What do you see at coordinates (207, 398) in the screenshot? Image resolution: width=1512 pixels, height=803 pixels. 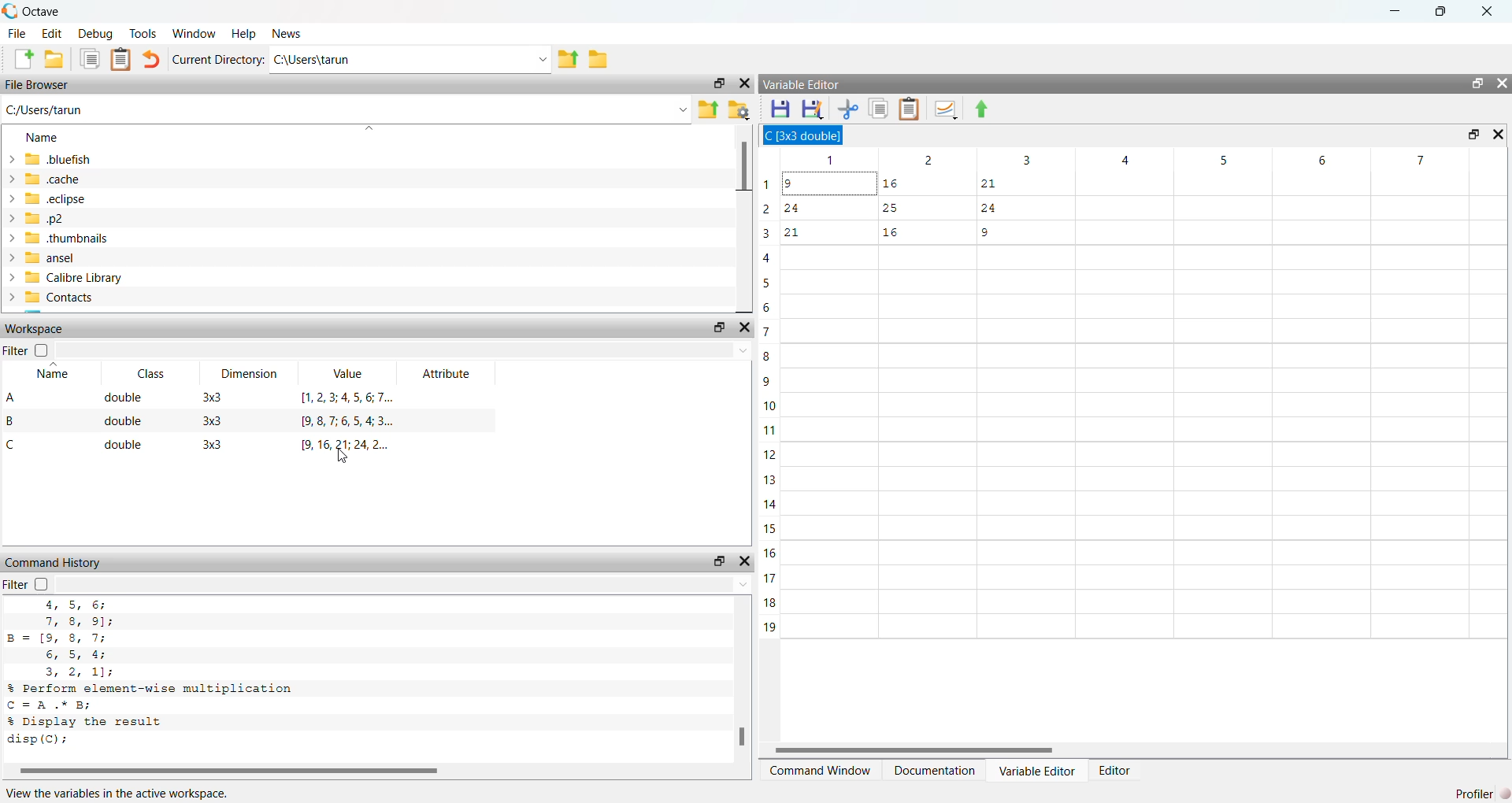 I see `A double 33 1,2,3;4567..` at bounding box center [207, 398].